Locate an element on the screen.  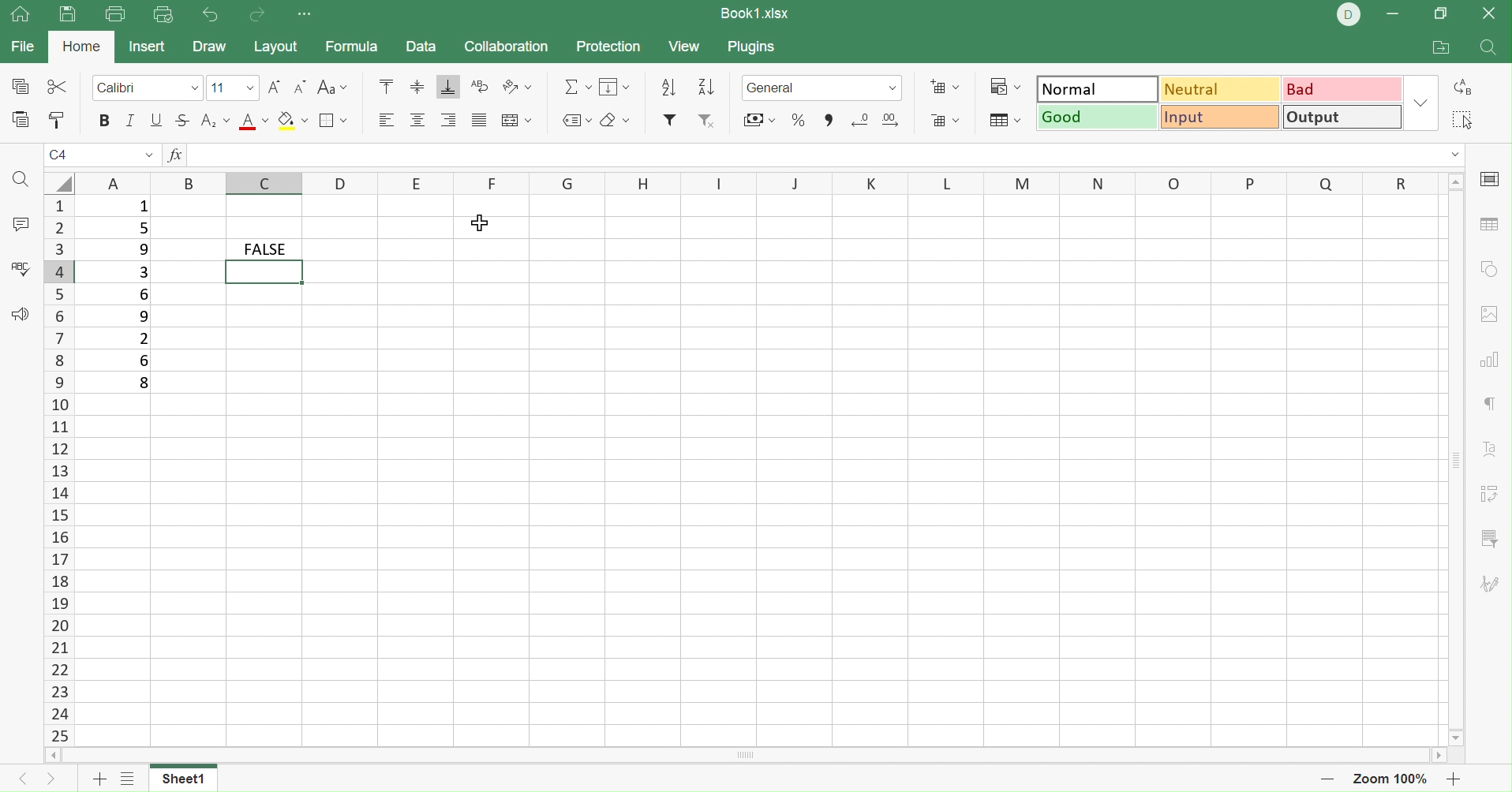
Quick print is located at coordinates (163, 15).